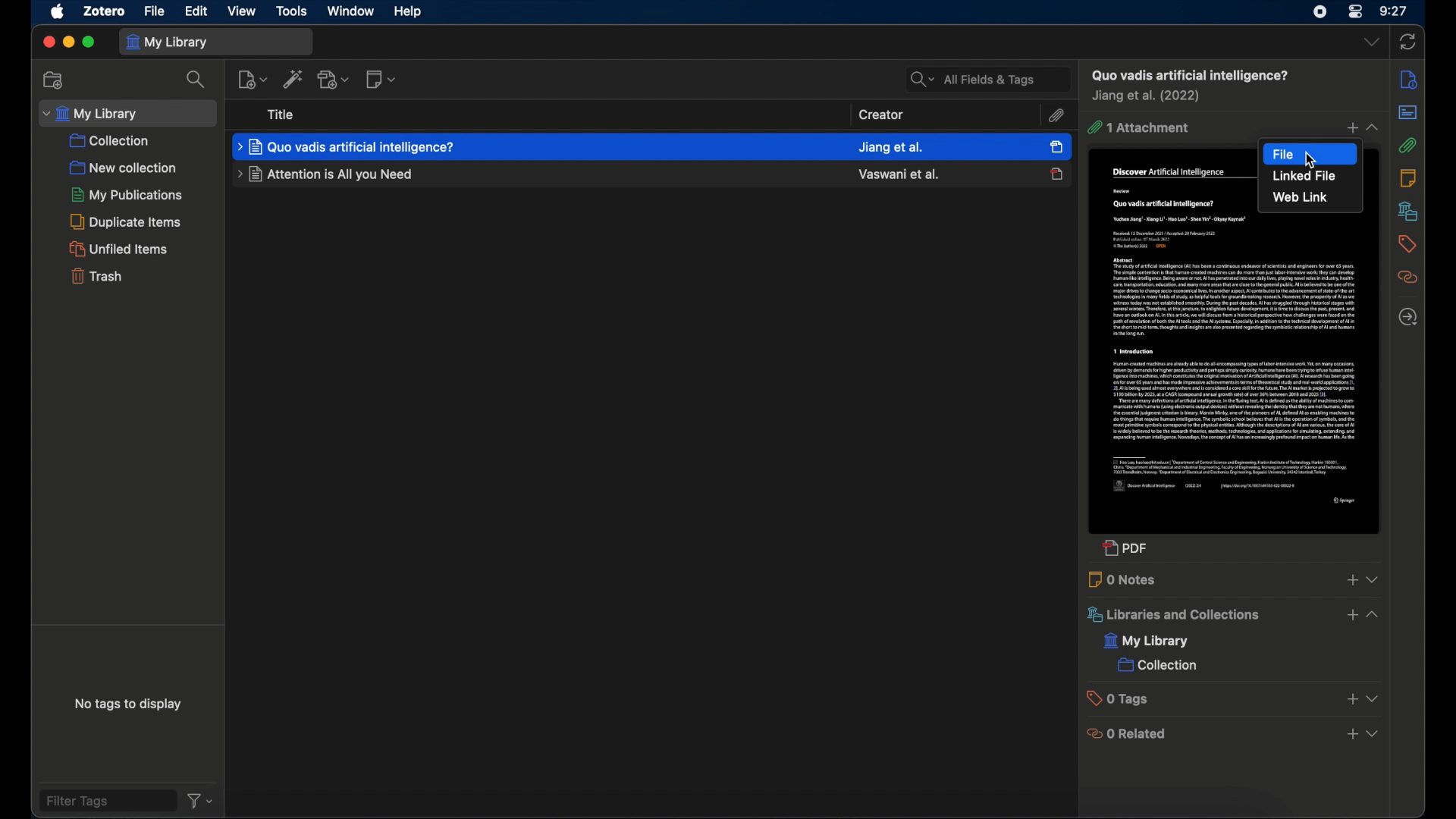 This screenshot has width=1456, height=819. I want to click on item title, so click(322, 175).